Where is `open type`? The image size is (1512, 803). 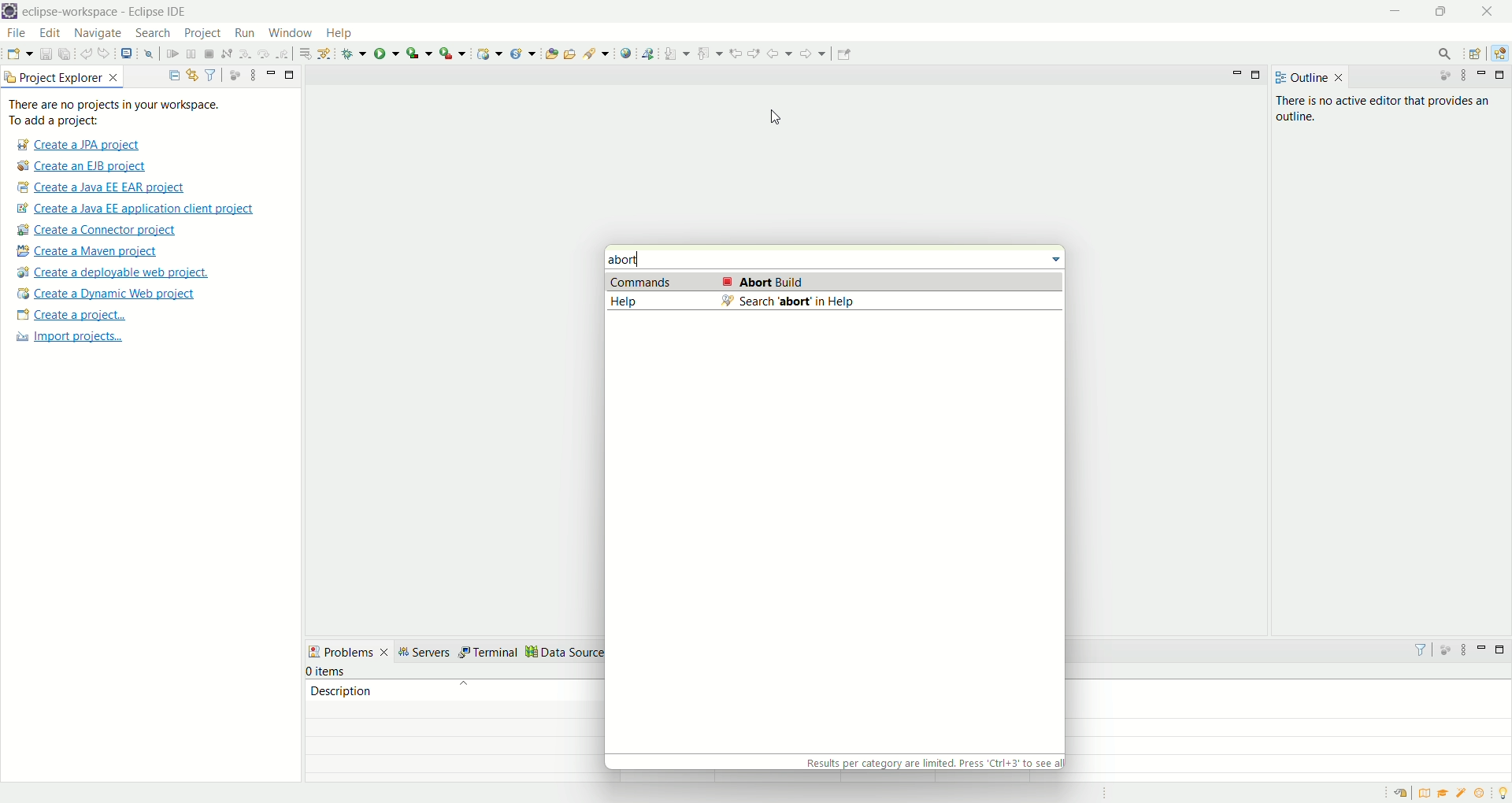
open type is located at coordinates (550, 54).